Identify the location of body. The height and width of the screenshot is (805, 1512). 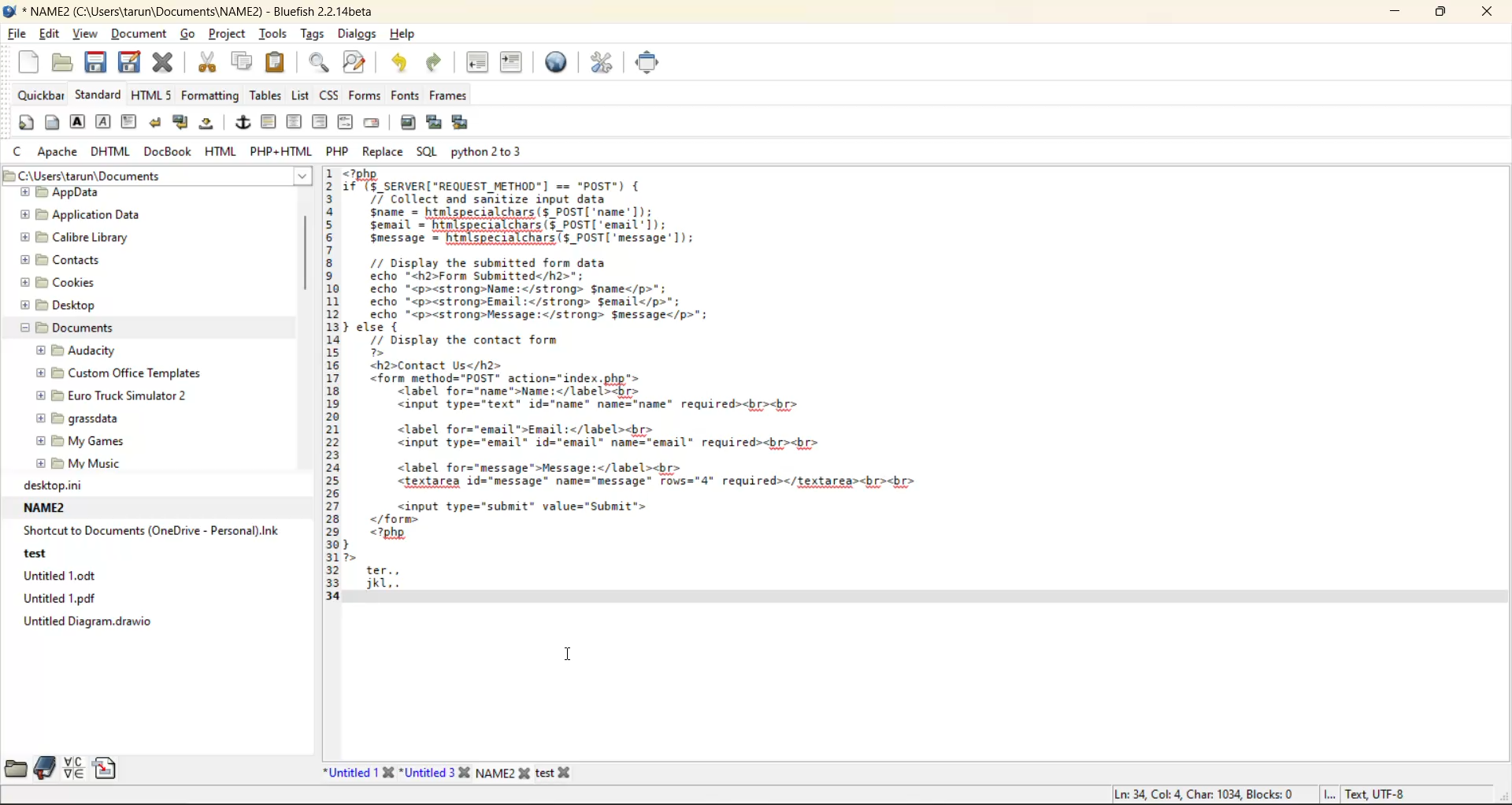
(50, 121).